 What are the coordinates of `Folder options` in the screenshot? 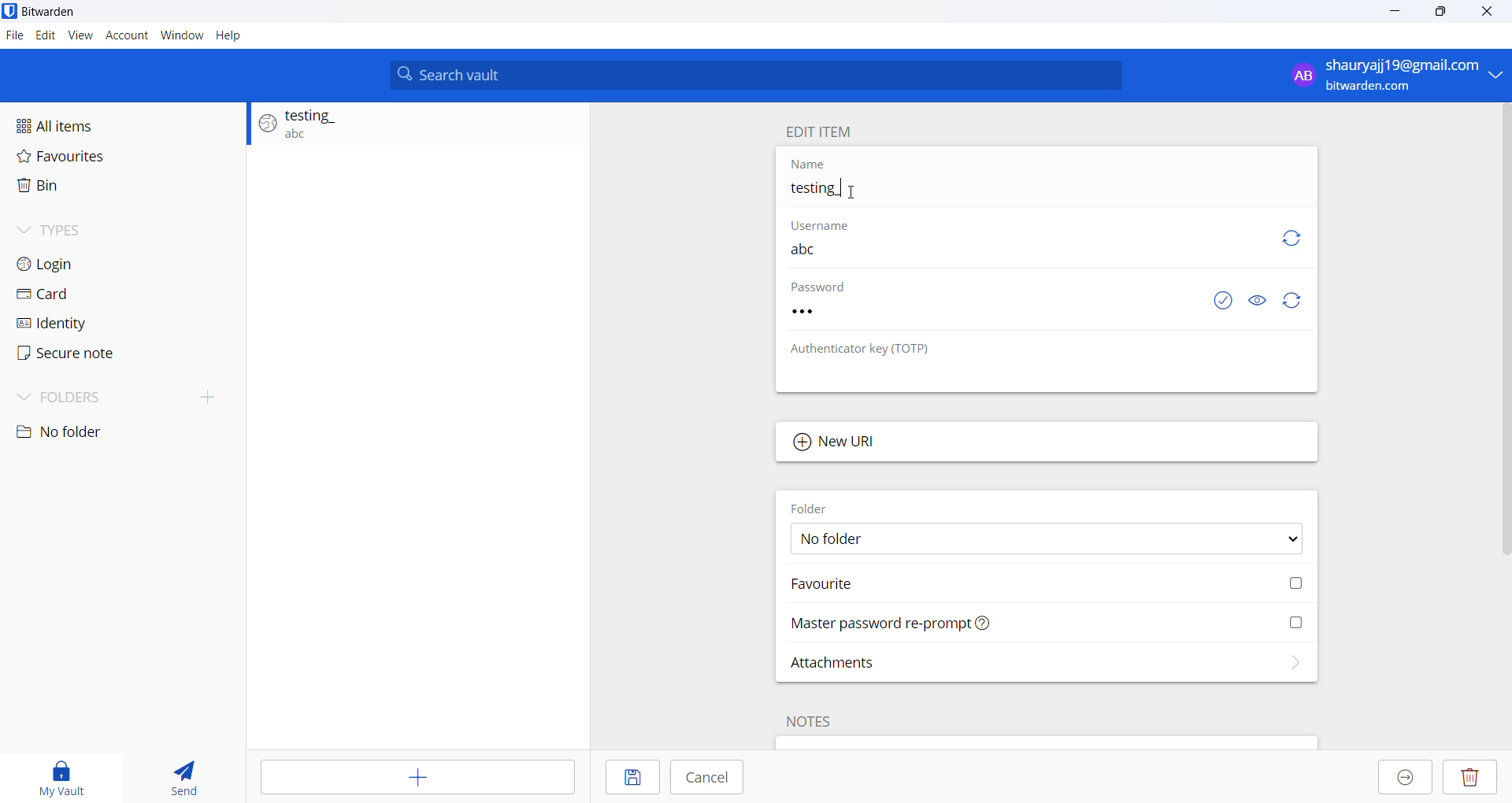 It's located at (1039, 539).